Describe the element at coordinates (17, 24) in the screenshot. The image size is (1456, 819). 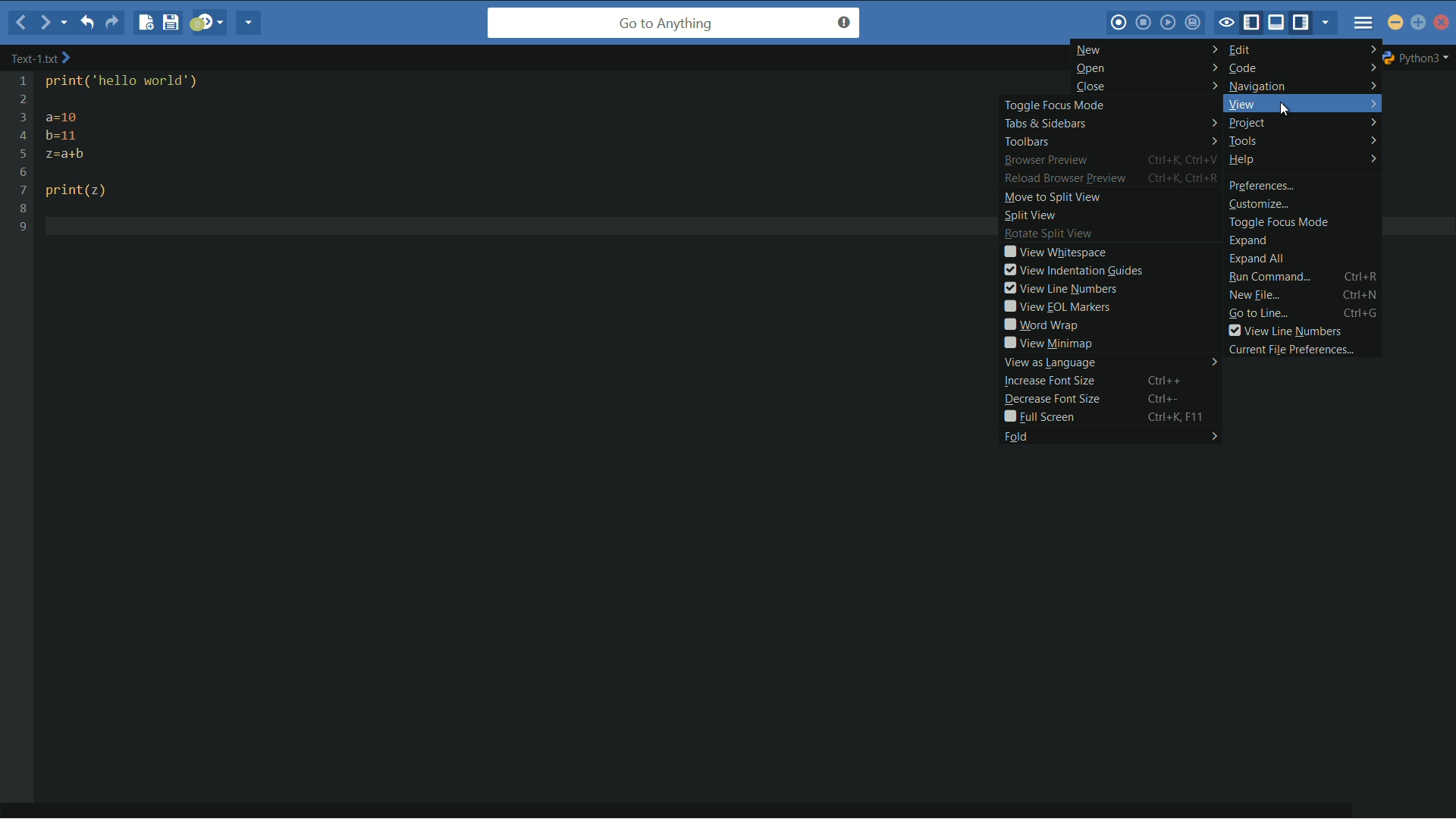
I see `back` at that location.